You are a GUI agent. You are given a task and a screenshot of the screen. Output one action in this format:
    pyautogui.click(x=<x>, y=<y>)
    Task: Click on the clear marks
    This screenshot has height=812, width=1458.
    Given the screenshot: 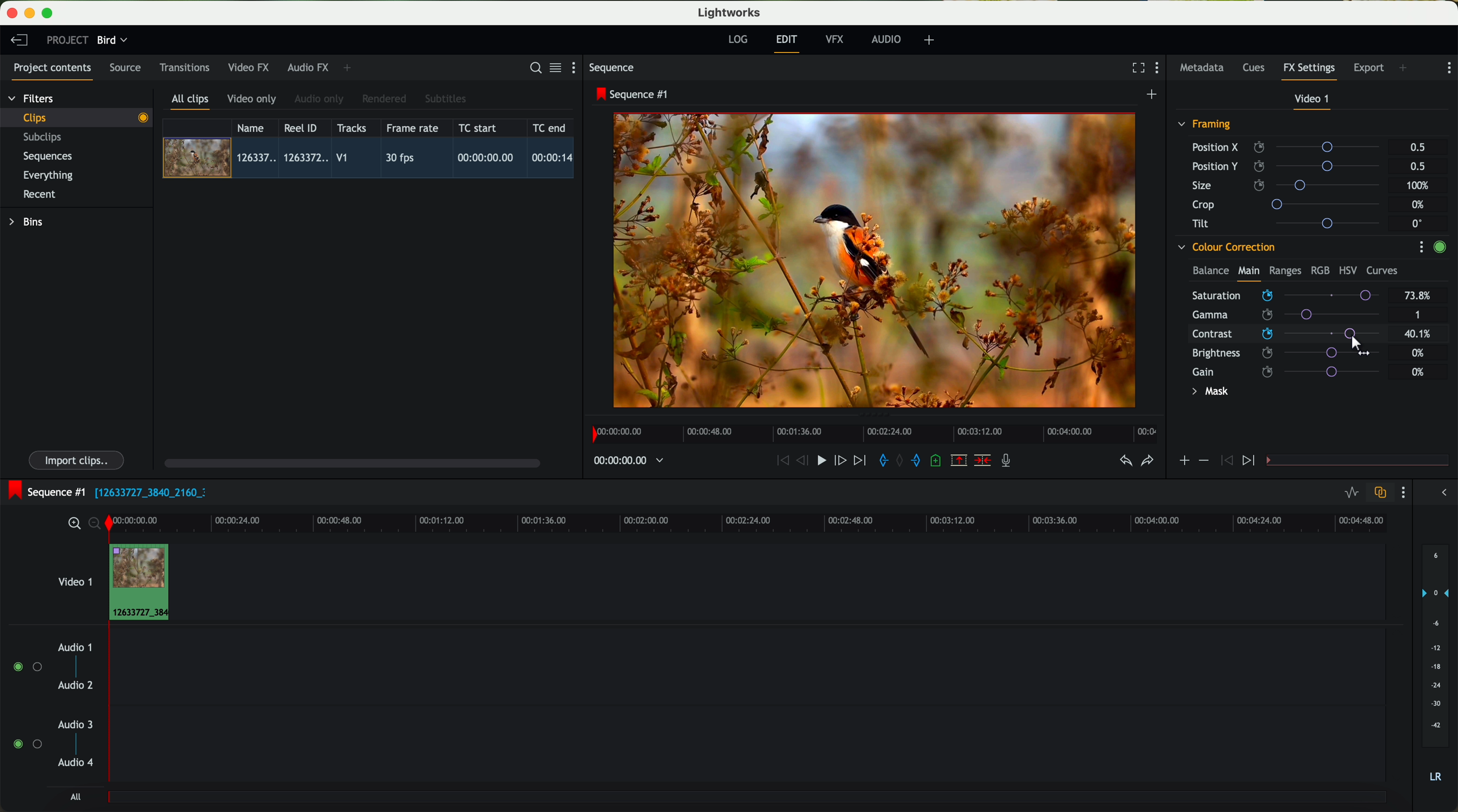 What is the action you would take?
    pyautogui.click(x=900, y=461)
    